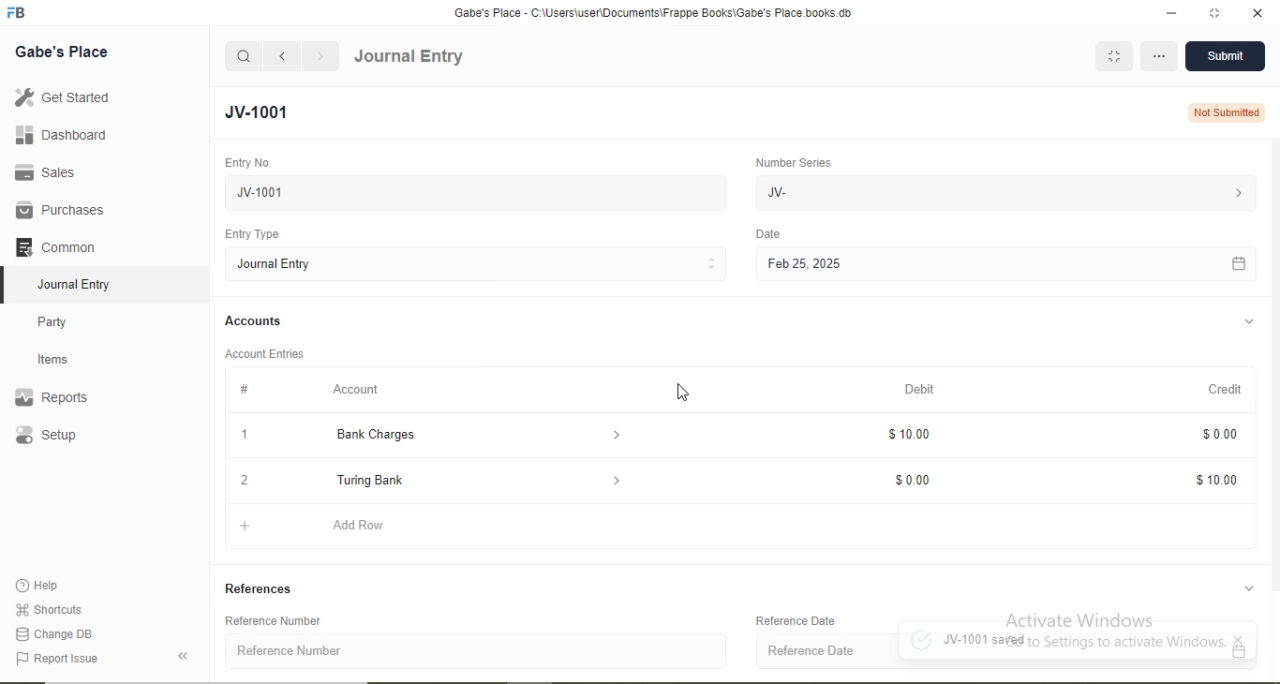 The height and width of the screenshot is (684, 1280). What do you see at coordinates (769, 234) in the screenshot?
I see `Date` at bounding box center [769, 234].